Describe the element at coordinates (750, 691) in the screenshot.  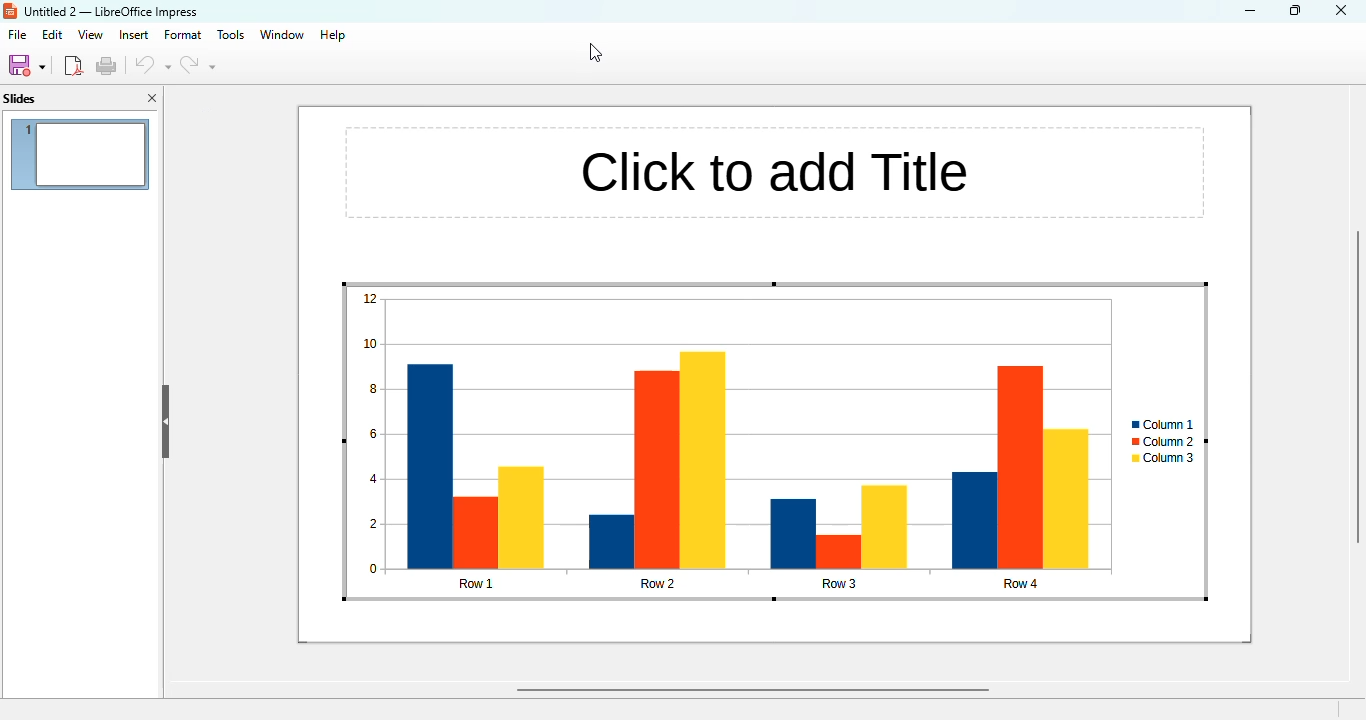
I see `horizontal scroll bar` at that location.